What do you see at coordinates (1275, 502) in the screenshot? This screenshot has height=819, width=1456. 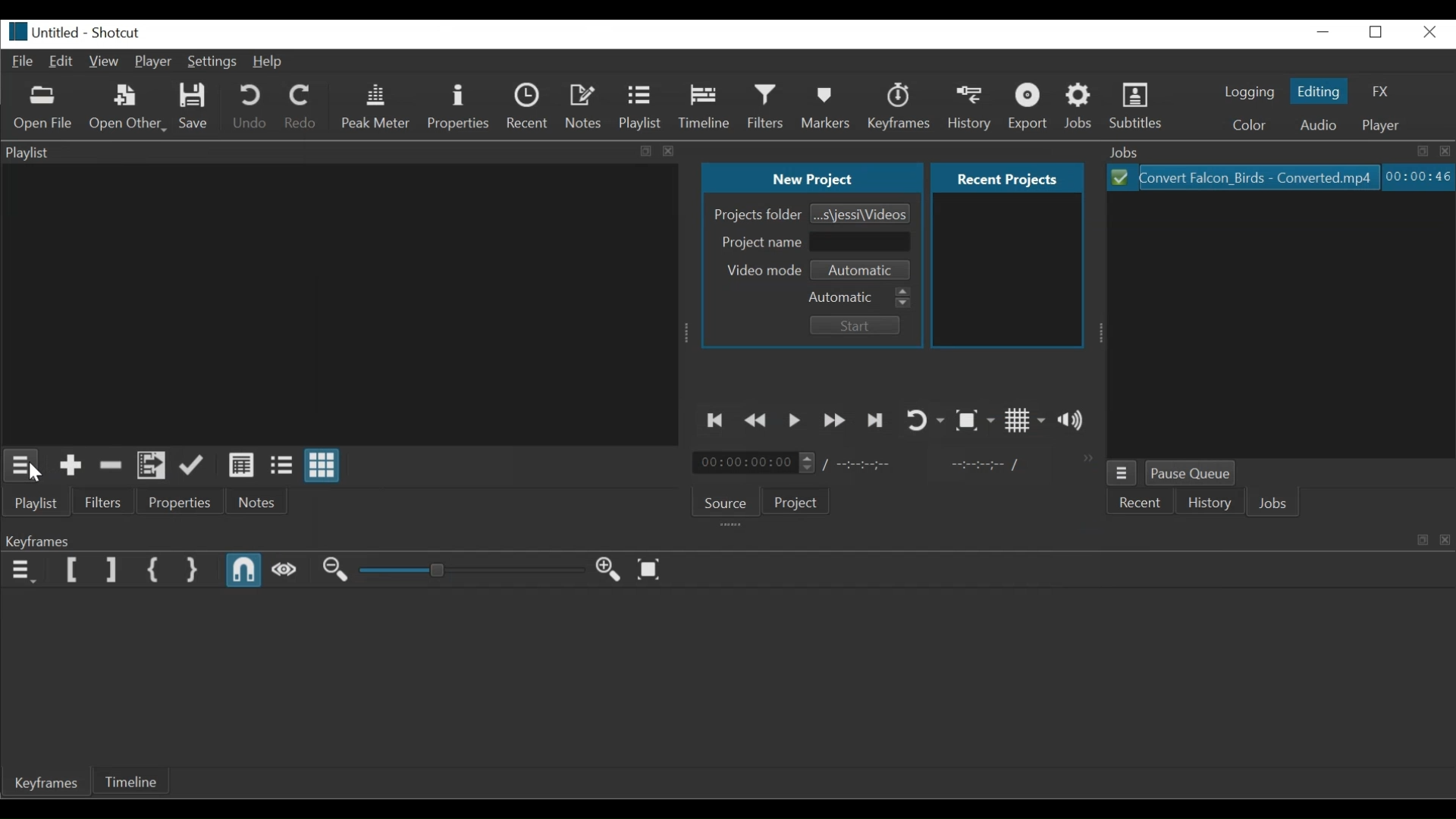 I see `Jobs` at bounding box center [1275, 502].